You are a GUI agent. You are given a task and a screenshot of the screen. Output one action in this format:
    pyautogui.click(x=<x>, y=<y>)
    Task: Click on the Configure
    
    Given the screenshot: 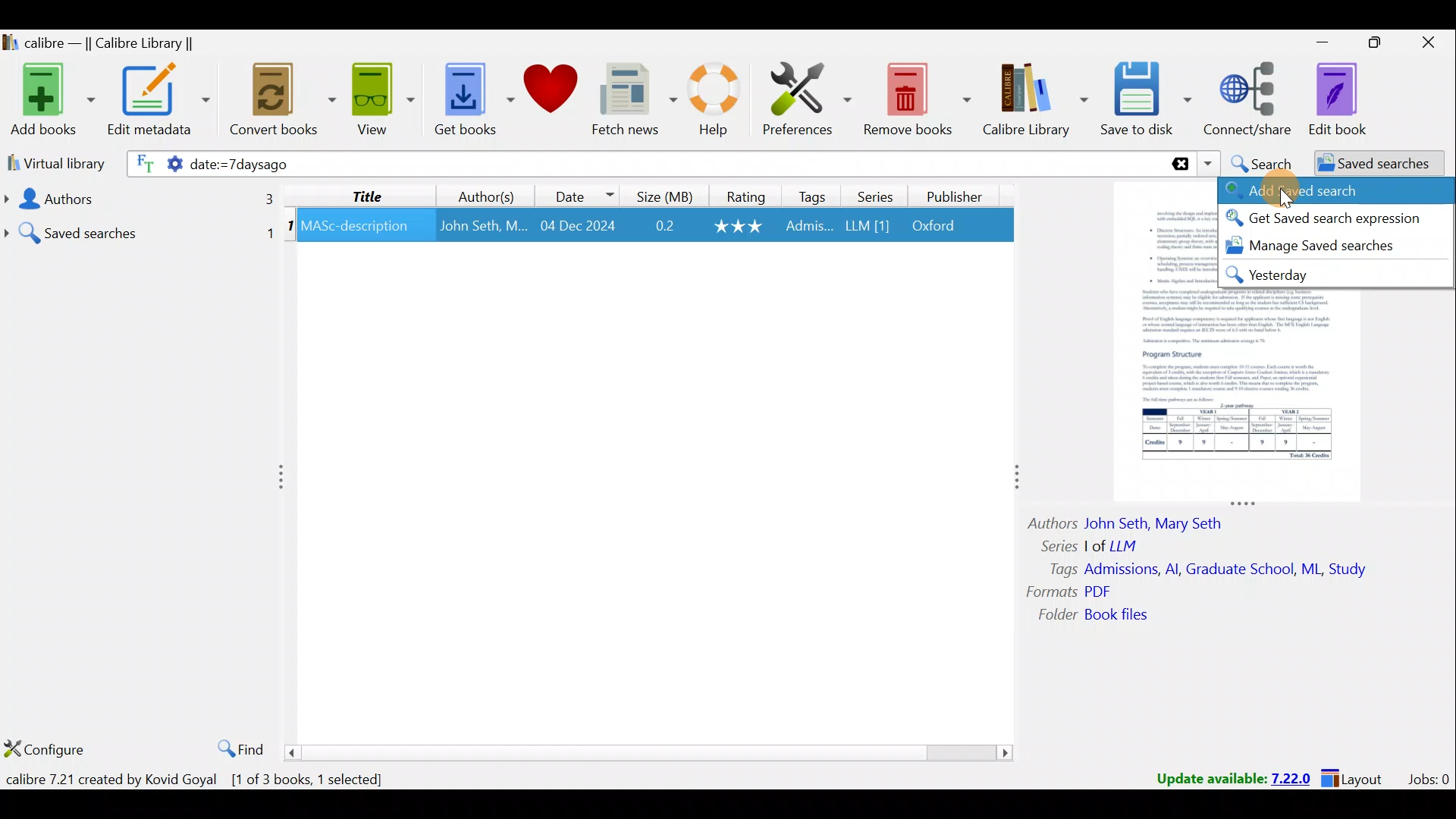 What is the action you would take?
    pyautogui.click(x=45, y=749)
    